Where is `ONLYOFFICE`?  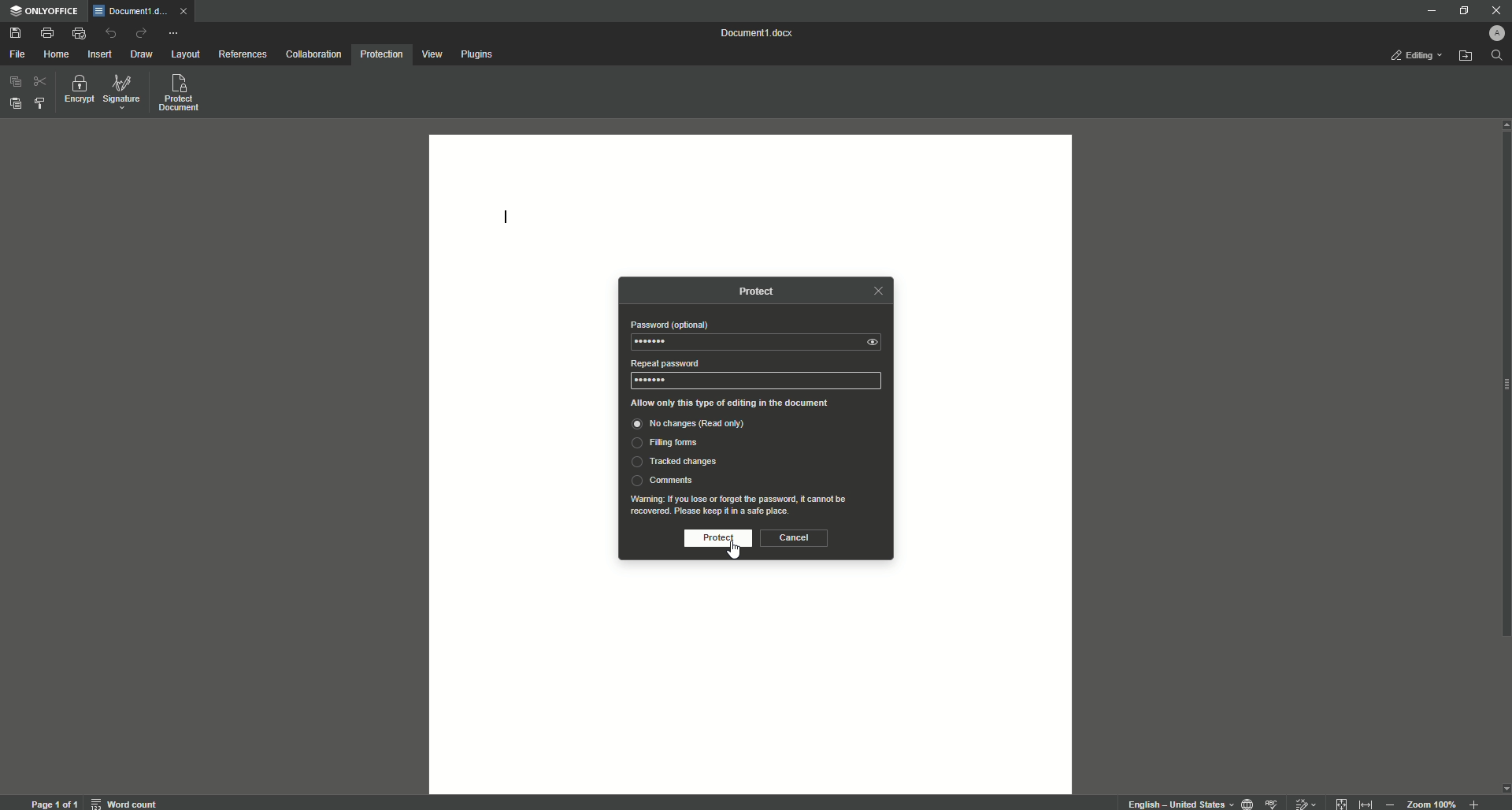 ONLYOFFICE is located at coordinates (46, 13).